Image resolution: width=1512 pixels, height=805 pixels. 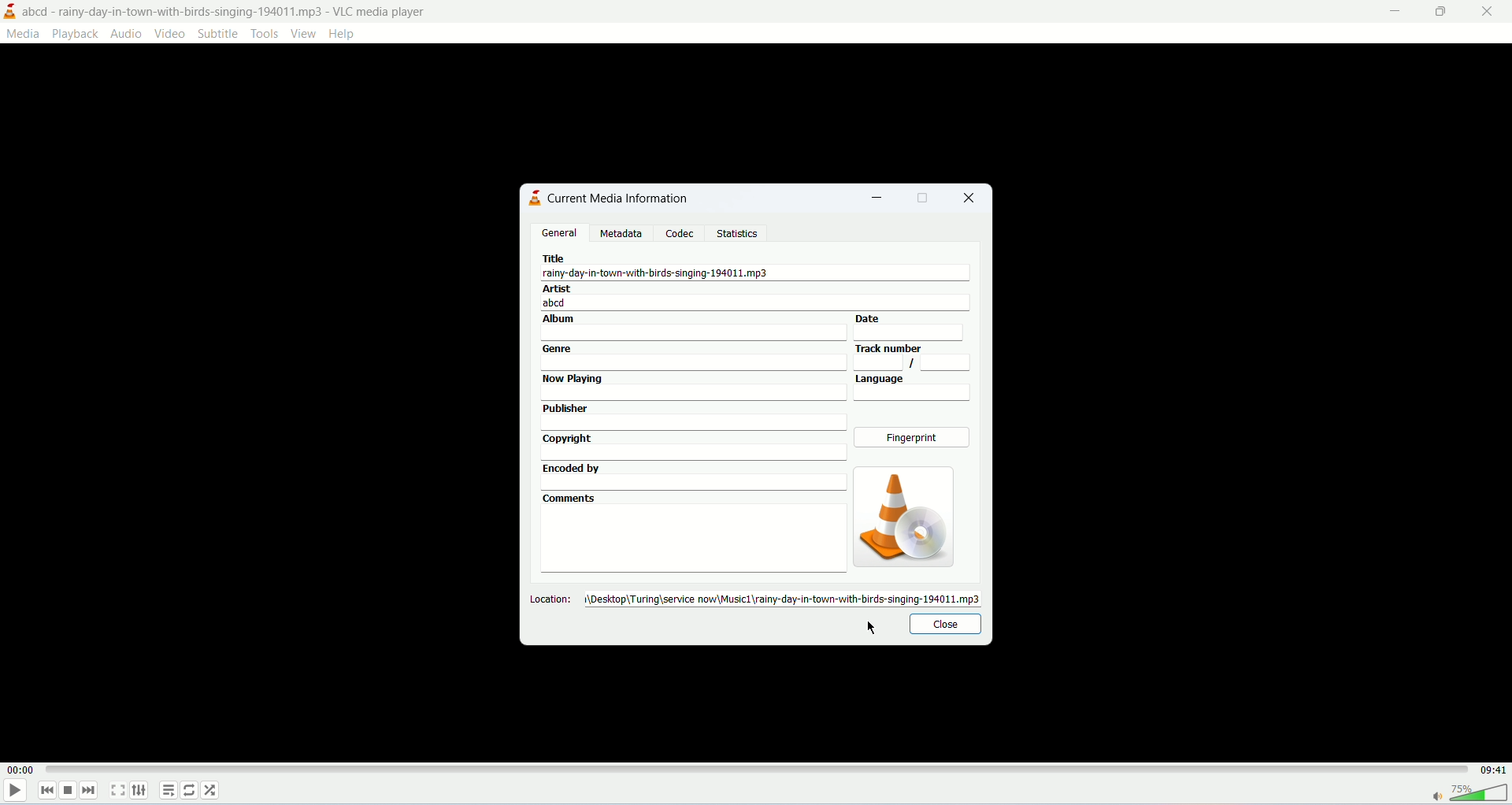 What do you see at coordinates (914, 439) in the screenshot?
I see `fingerprint` at bounding box center [914, 439].